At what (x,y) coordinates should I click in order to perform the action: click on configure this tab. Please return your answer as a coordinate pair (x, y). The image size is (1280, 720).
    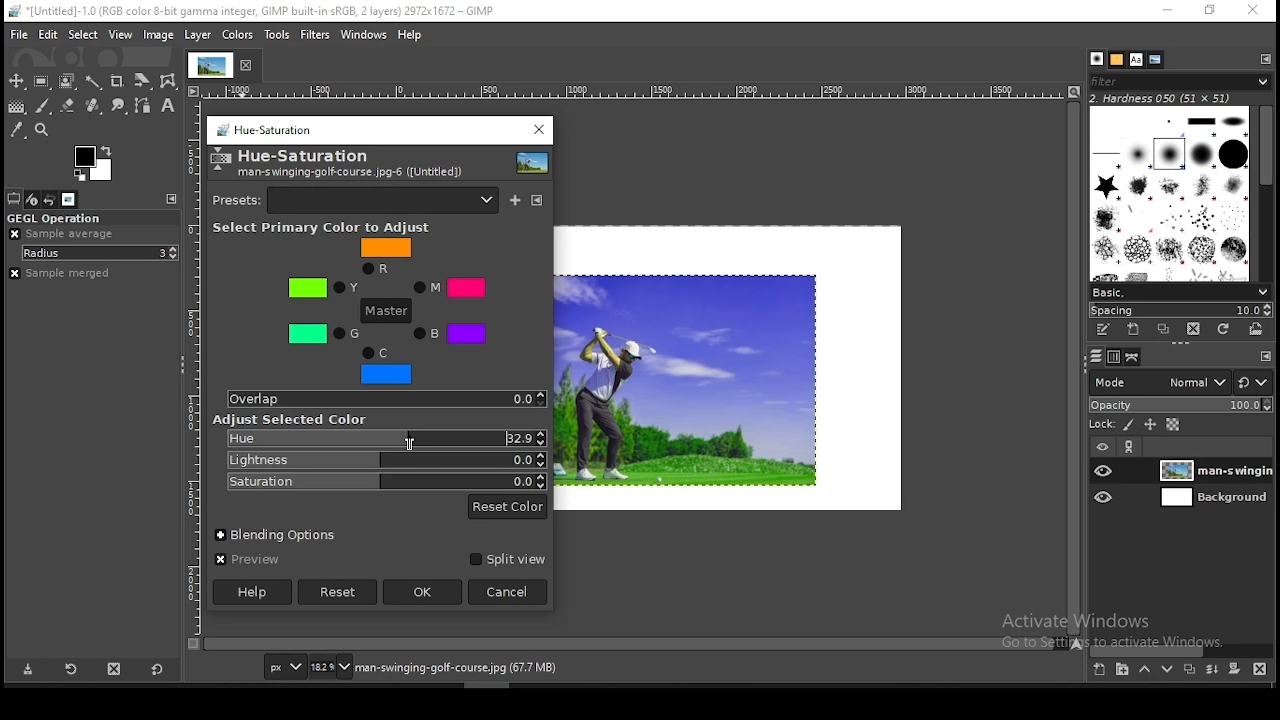
    Looking at the image, I should click on (1264, 60).